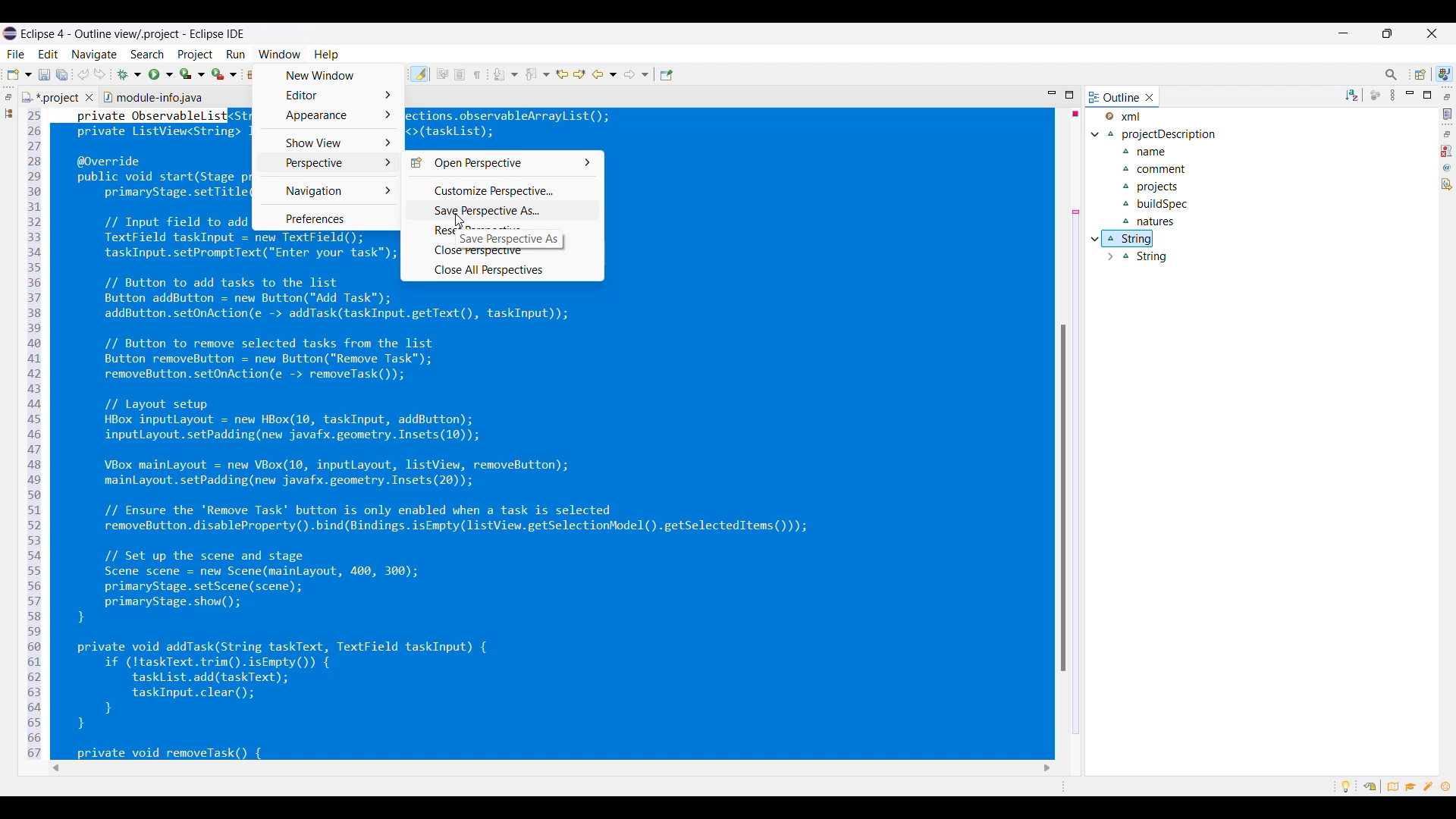  What do you see at coordinates (509, 239) in the screenshot?
I see `Description of current selection` at bounding box center [509, 239].